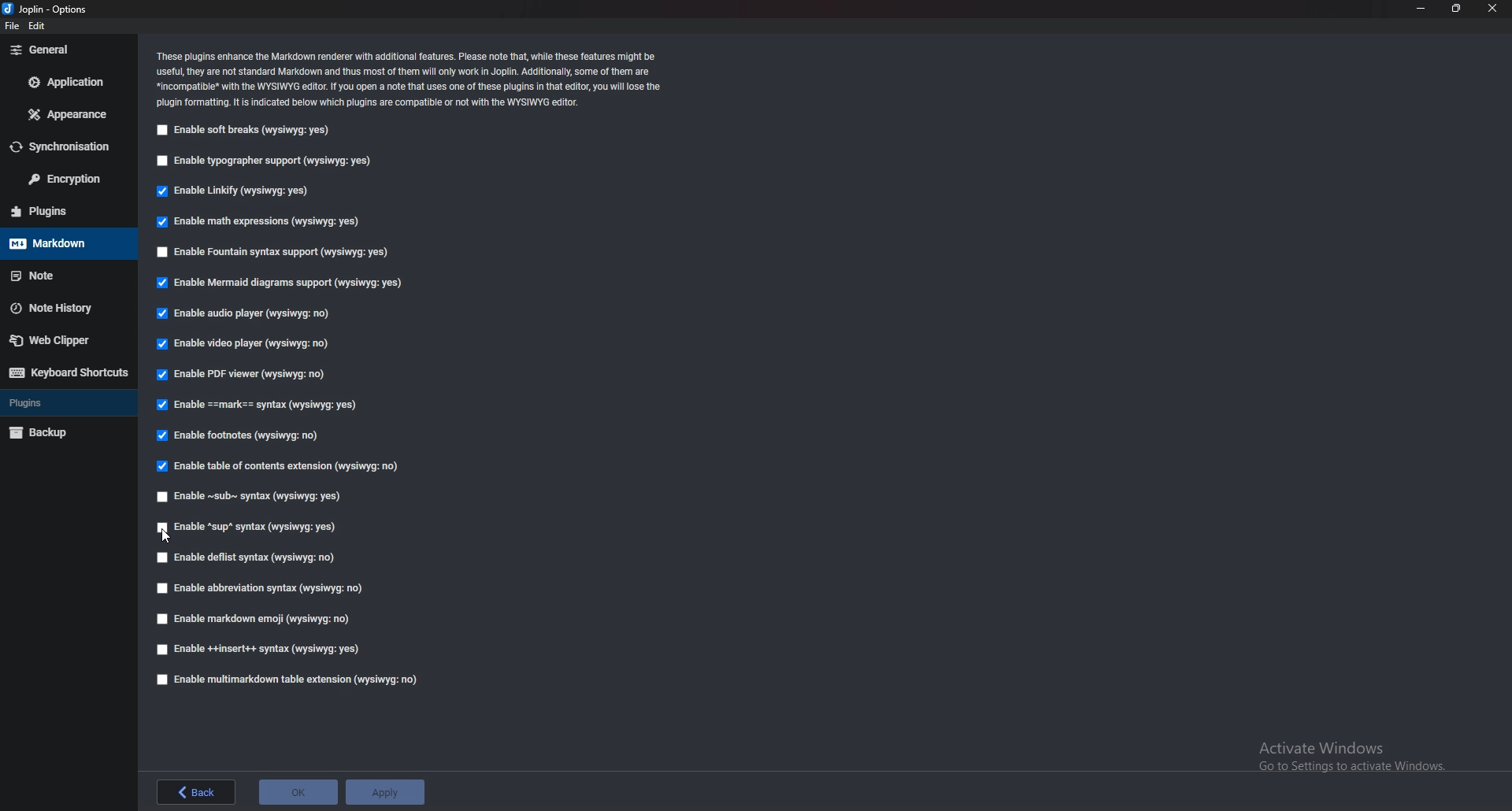  I want to click on file, so click(12, 26).